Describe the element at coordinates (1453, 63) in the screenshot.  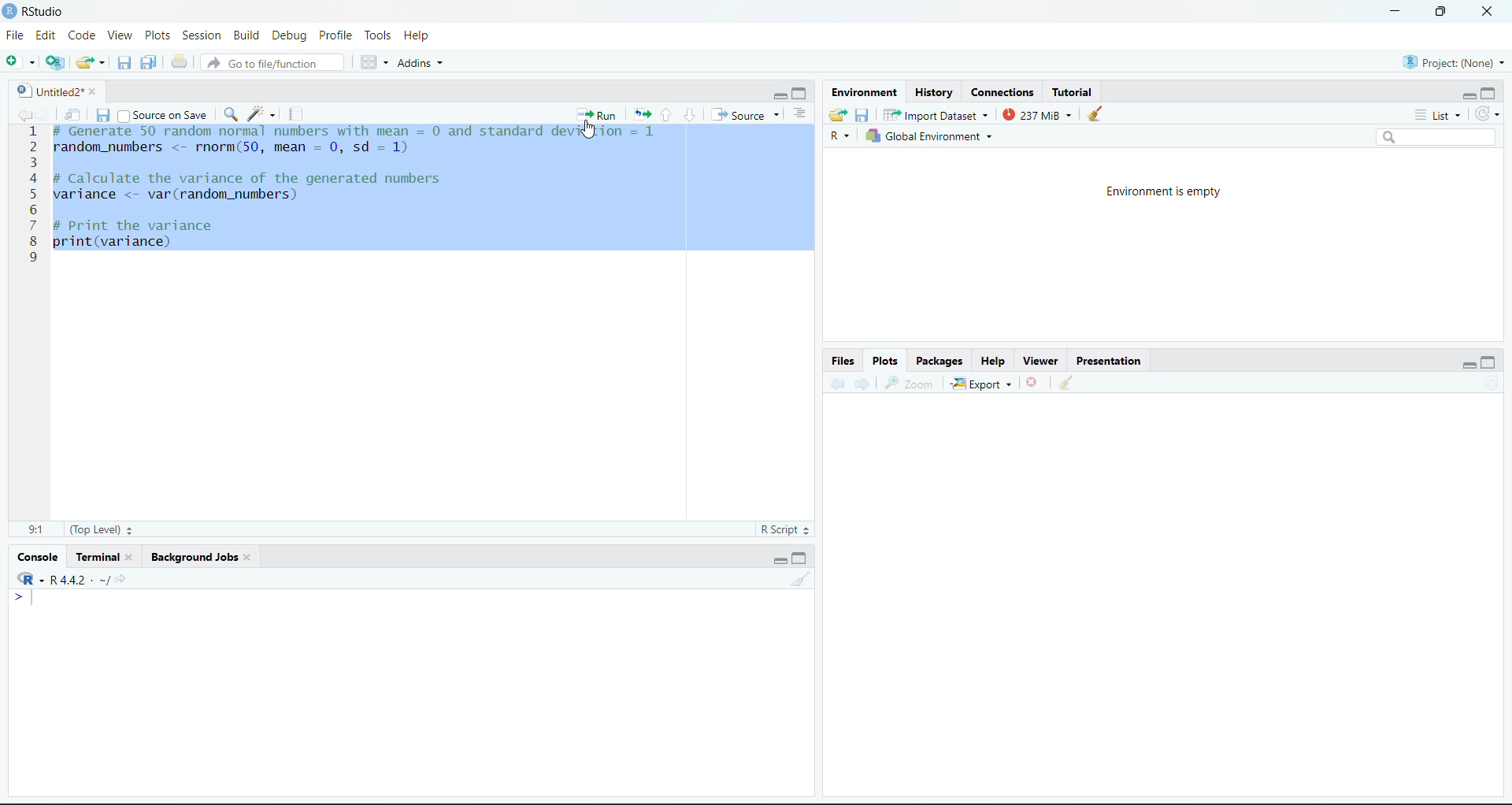
I see `Project (None)` at that location.